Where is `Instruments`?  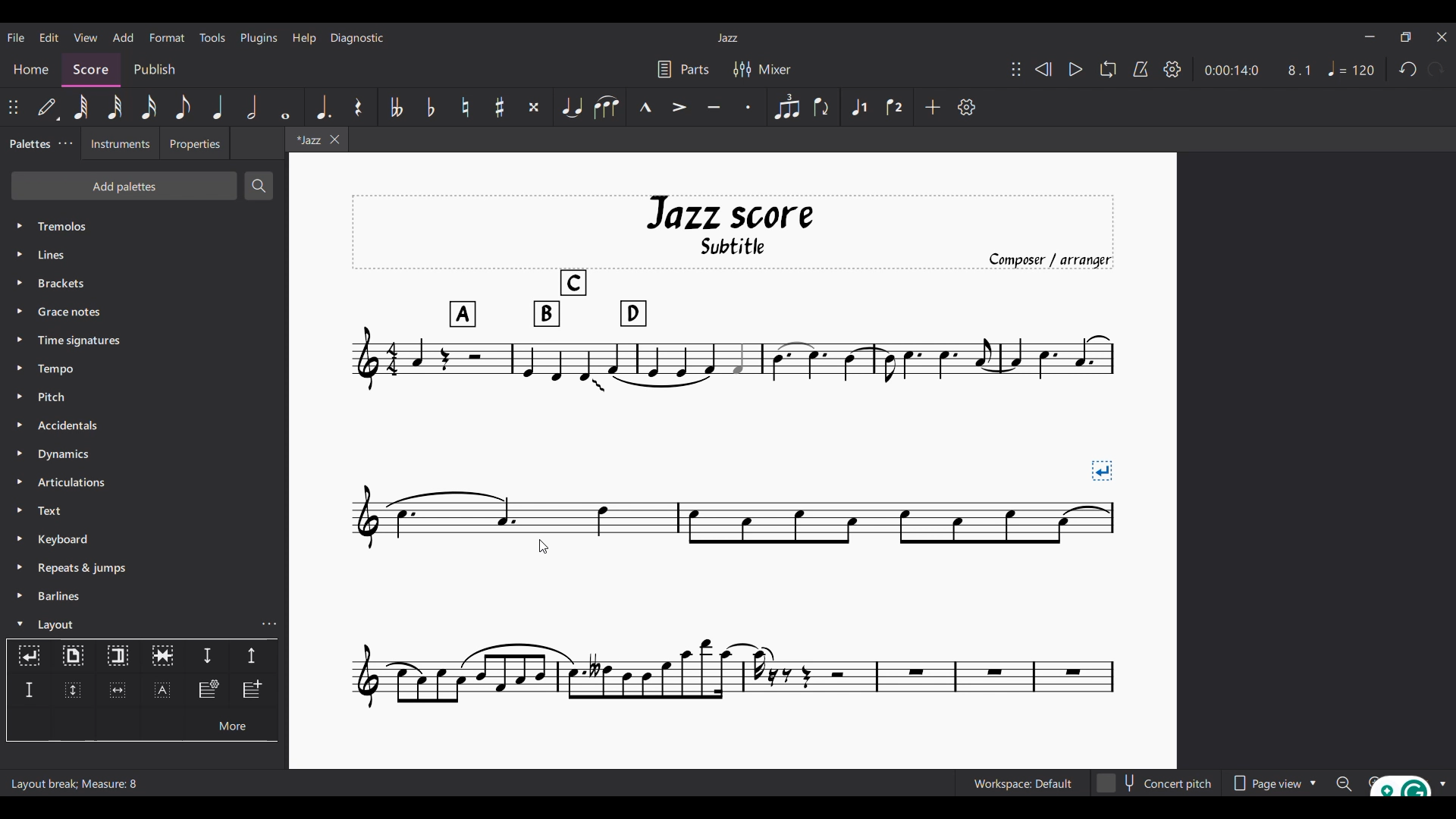 Instruments is located at coordinates (121, 143).